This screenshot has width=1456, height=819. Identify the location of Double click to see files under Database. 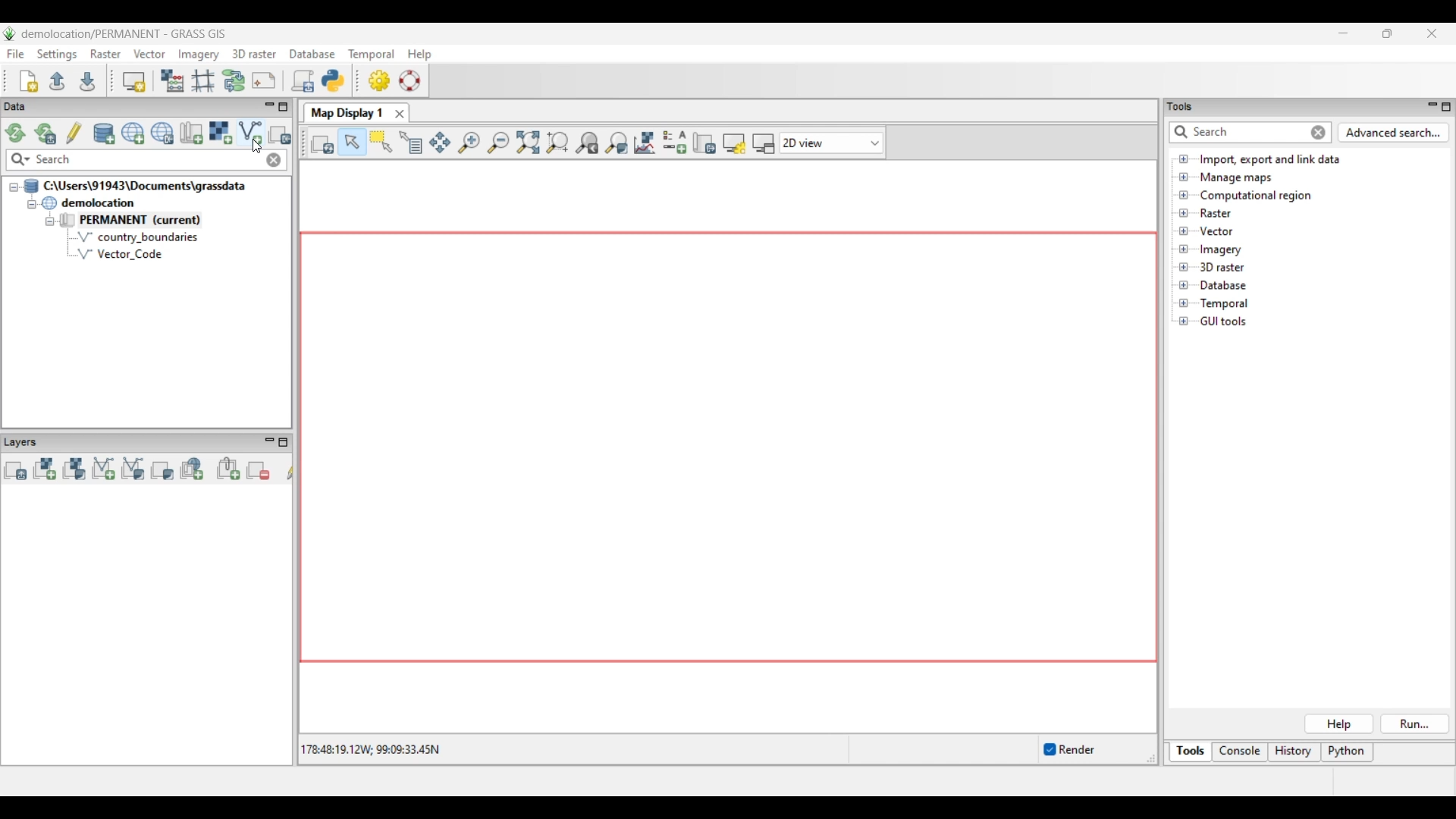
(1222, 286).